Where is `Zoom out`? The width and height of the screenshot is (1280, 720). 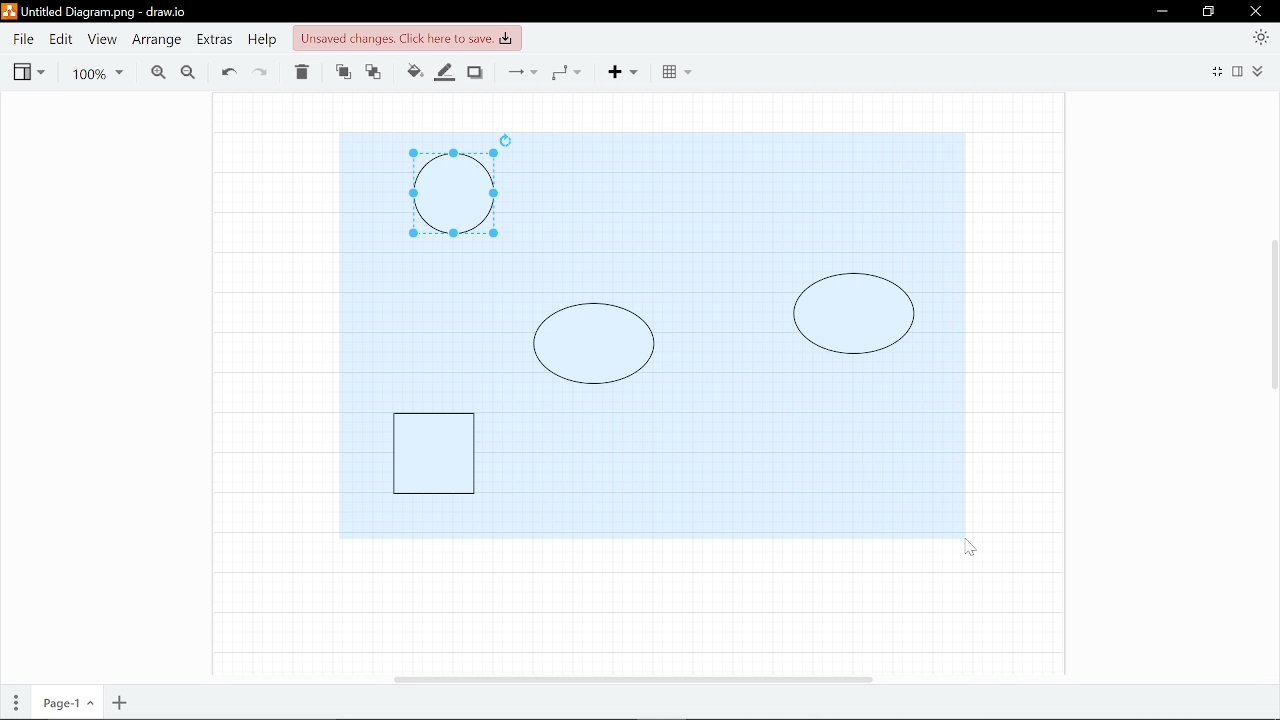 Zoom out is located at coordinates (187, 71).